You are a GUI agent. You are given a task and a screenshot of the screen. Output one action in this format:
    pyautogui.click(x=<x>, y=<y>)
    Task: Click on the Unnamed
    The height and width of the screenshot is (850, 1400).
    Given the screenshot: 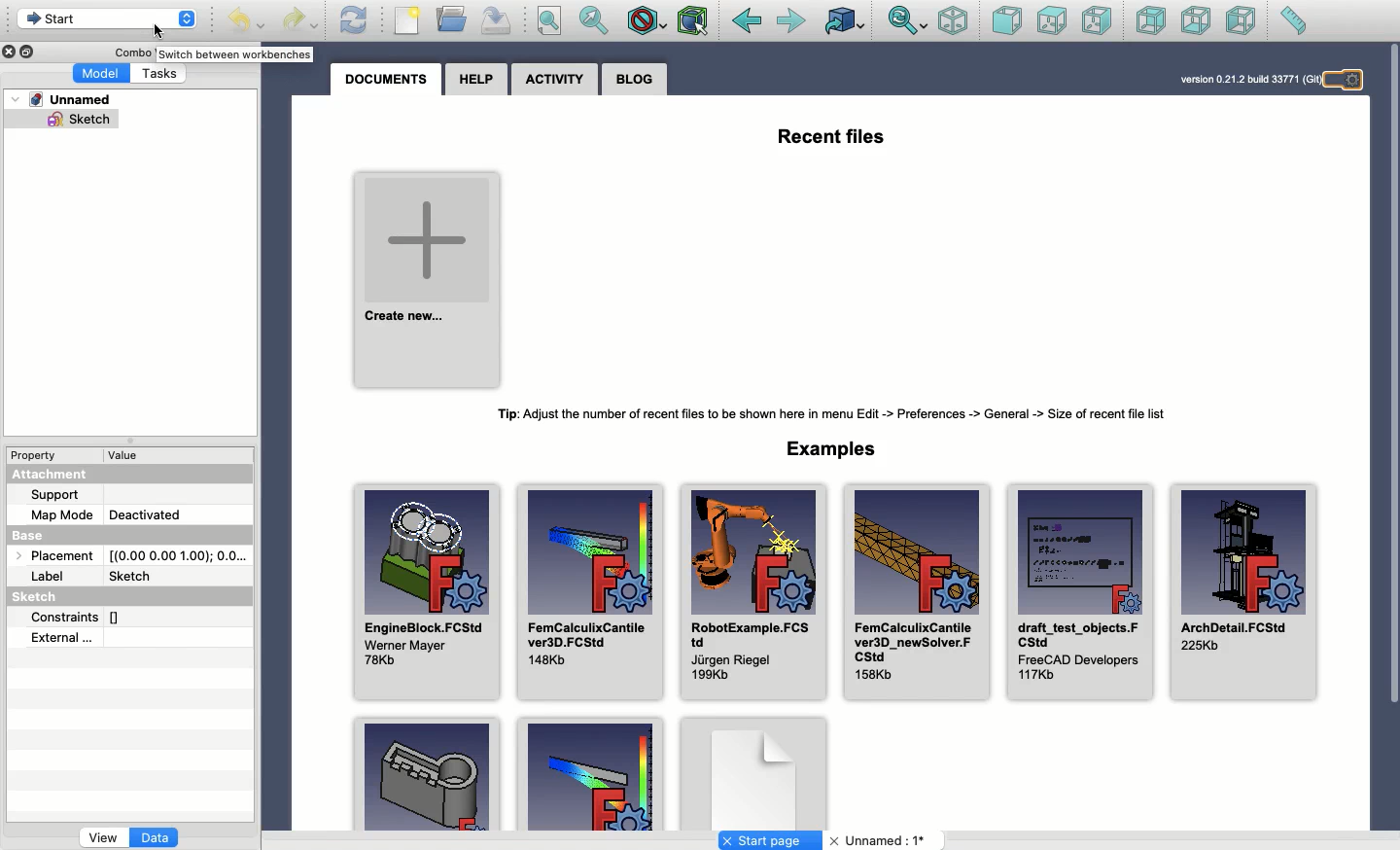 What is the action you would take?
    pyautogui.click(x=60, y=98)
    